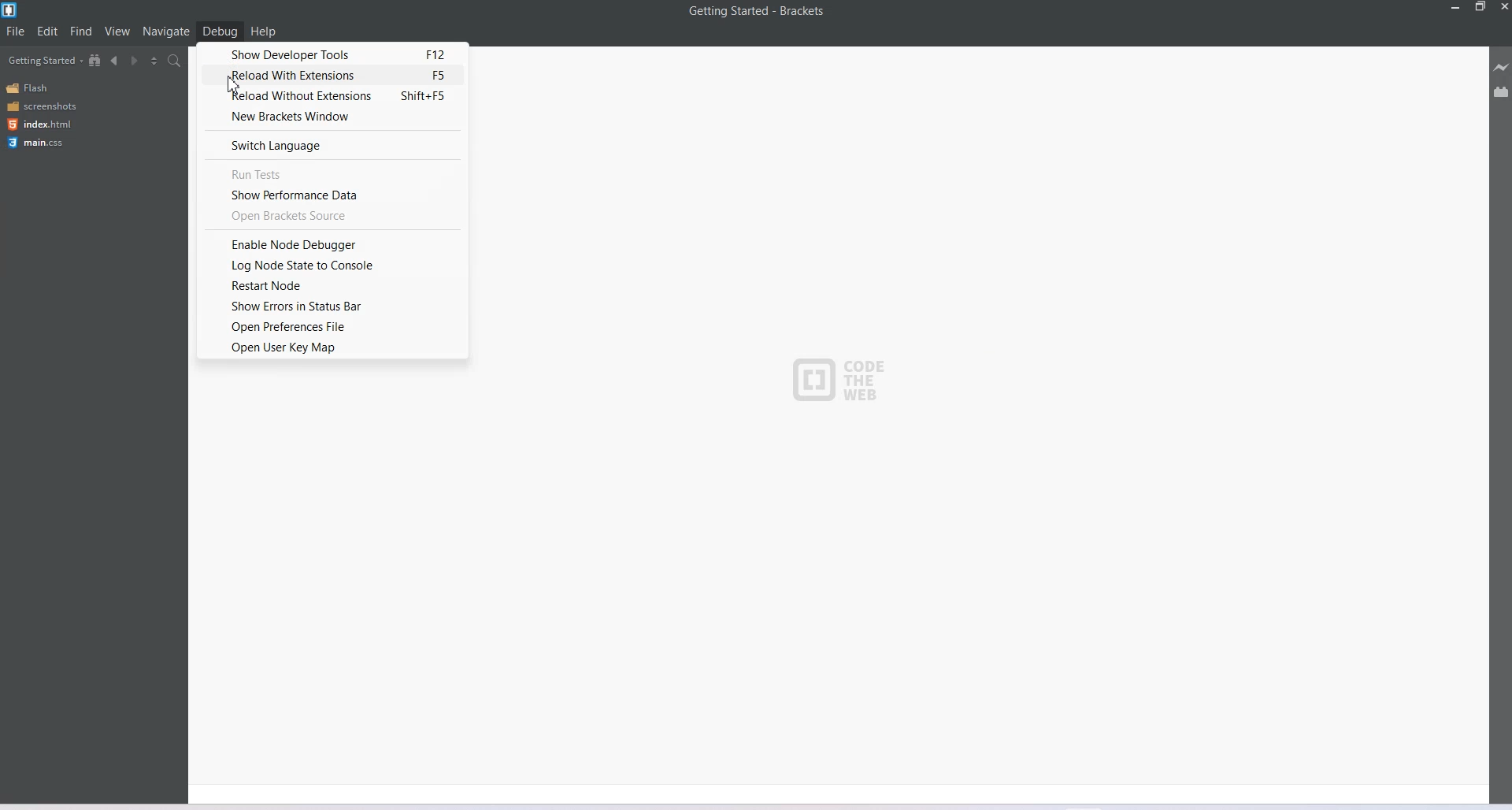  Describe the element at coordinates (82, 30) in the screenshot. I see `Find` at that location.